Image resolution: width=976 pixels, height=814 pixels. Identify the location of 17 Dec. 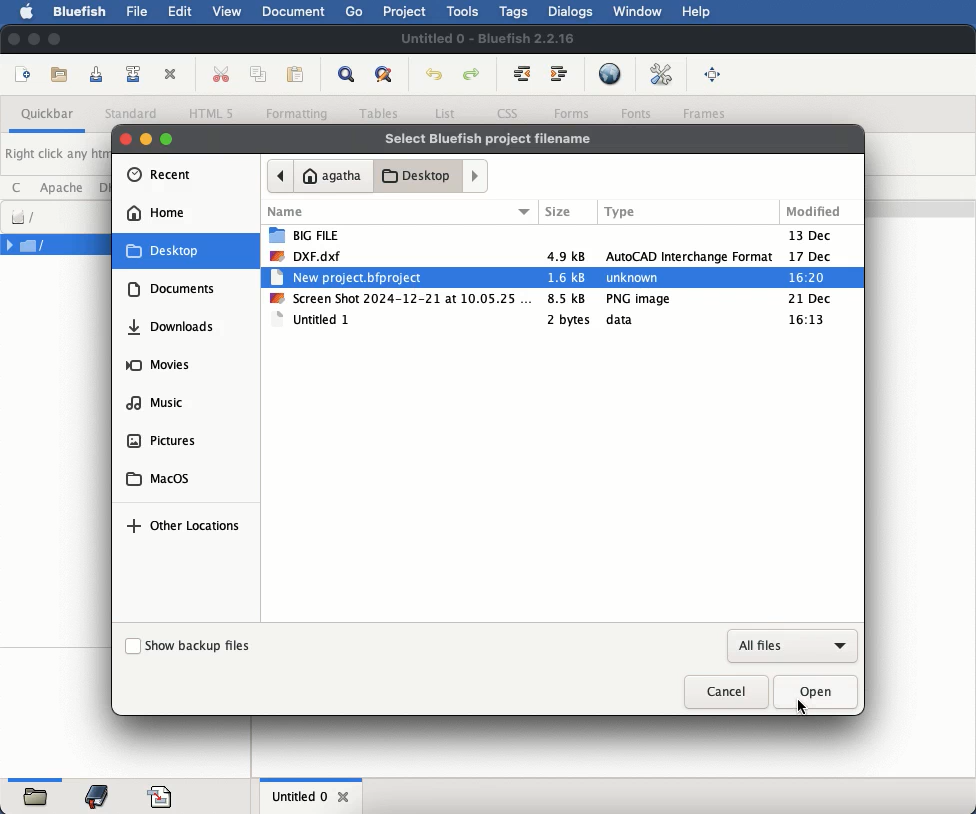
(812, 255).